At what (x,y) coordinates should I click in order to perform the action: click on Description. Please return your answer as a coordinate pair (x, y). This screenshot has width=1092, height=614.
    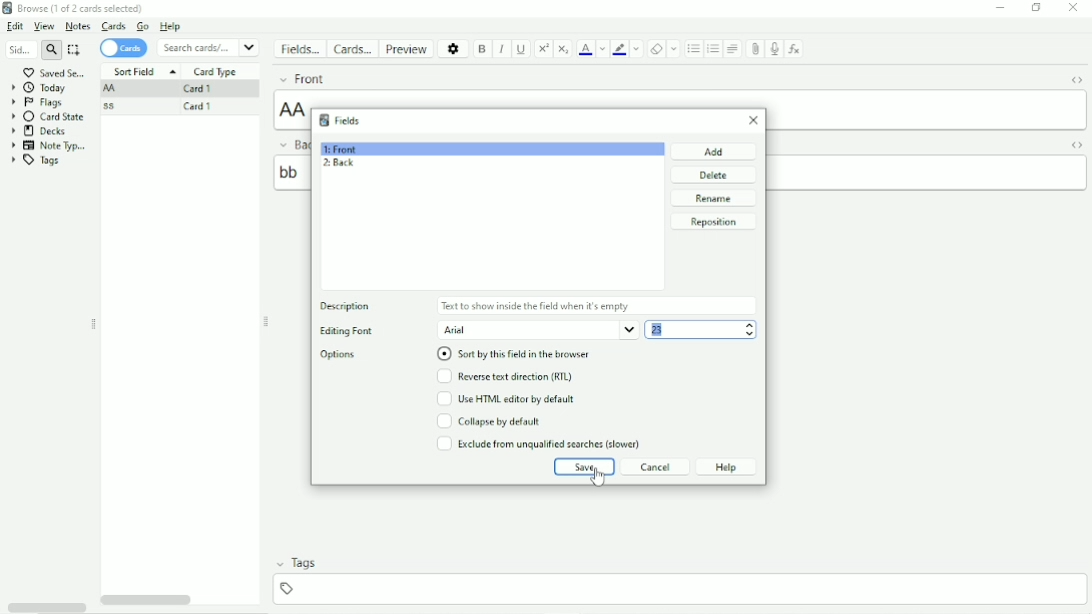
    Looking at the image, I should click on (344, 305).